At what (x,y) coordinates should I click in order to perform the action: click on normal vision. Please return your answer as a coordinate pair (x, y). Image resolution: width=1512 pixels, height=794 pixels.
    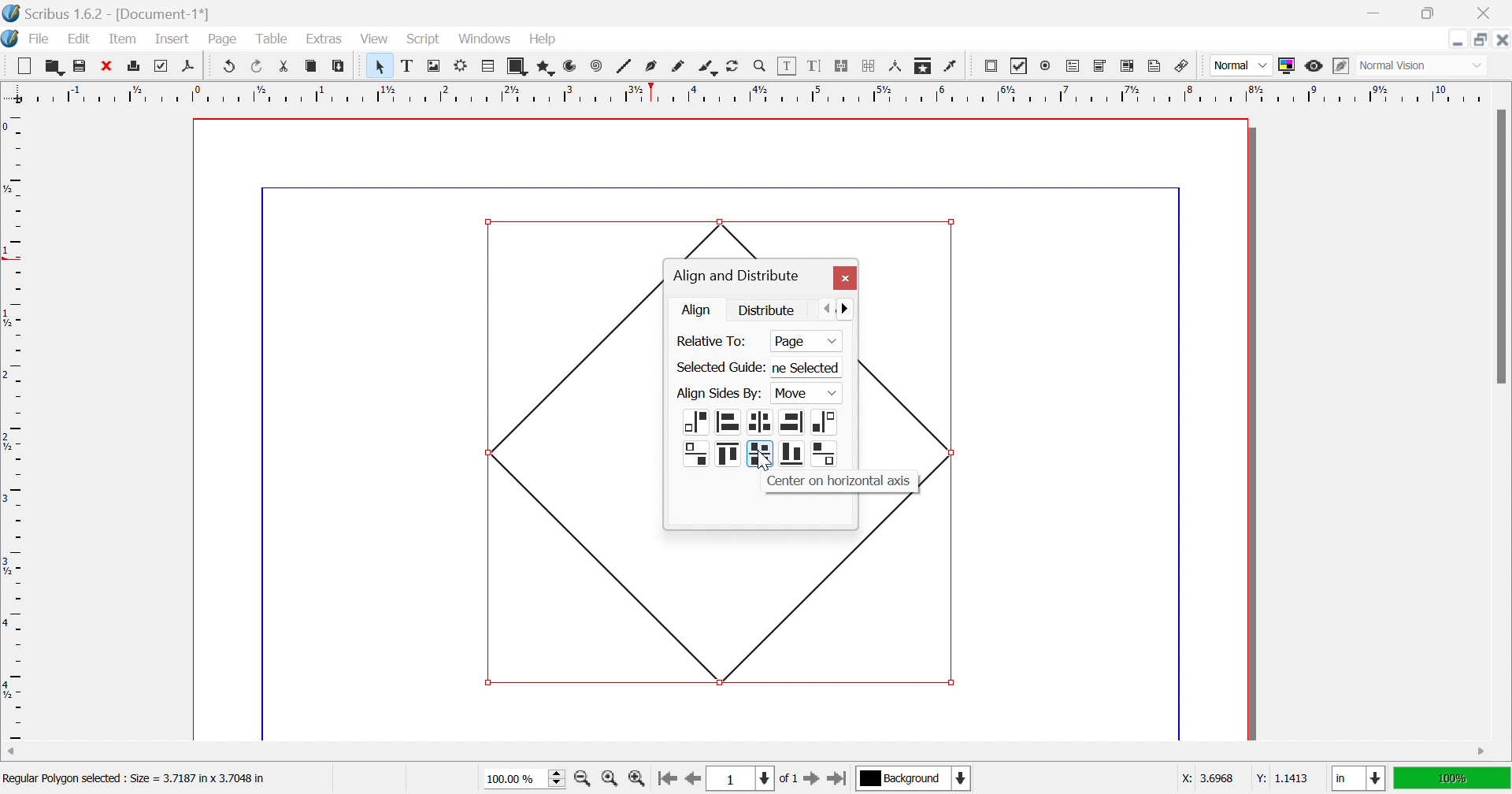
    Looking at the image, I should click on (1410, 66).